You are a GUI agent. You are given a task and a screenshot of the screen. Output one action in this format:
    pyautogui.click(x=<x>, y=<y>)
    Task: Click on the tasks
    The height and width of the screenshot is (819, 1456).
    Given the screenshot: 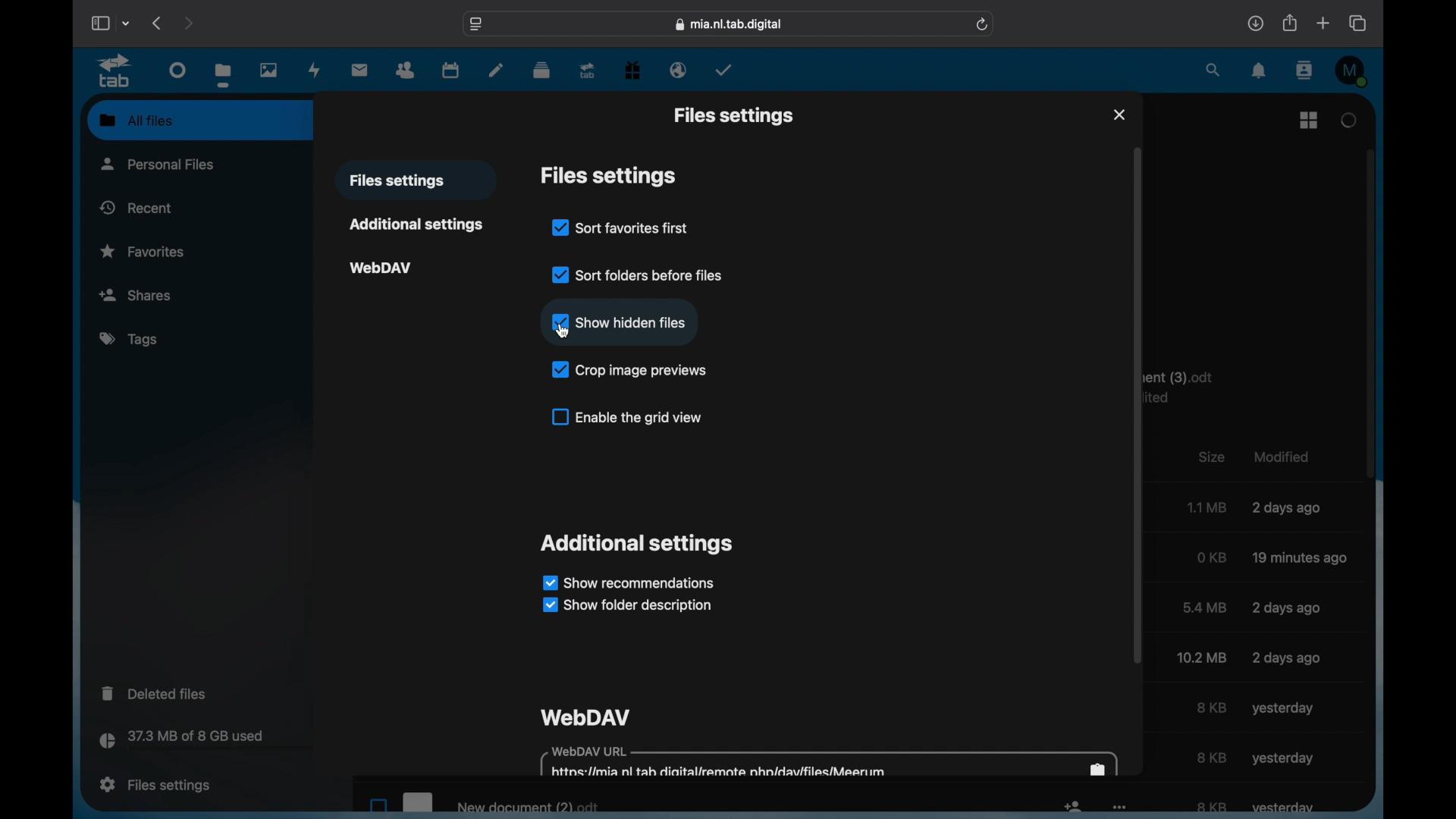 What is the action you would take?
    pyautogui.click(x=724, y=69)
    